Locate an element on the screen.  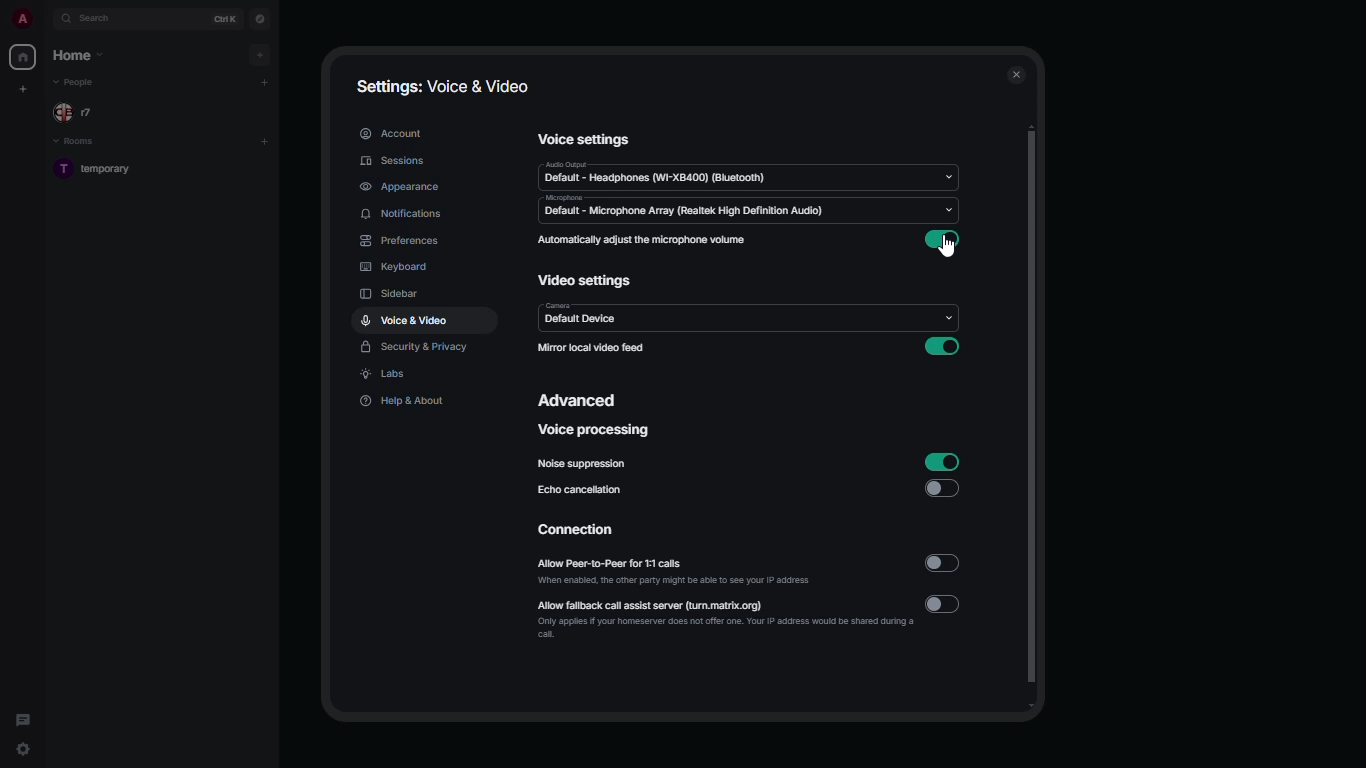
video settings is located at coordinates (585, 282).